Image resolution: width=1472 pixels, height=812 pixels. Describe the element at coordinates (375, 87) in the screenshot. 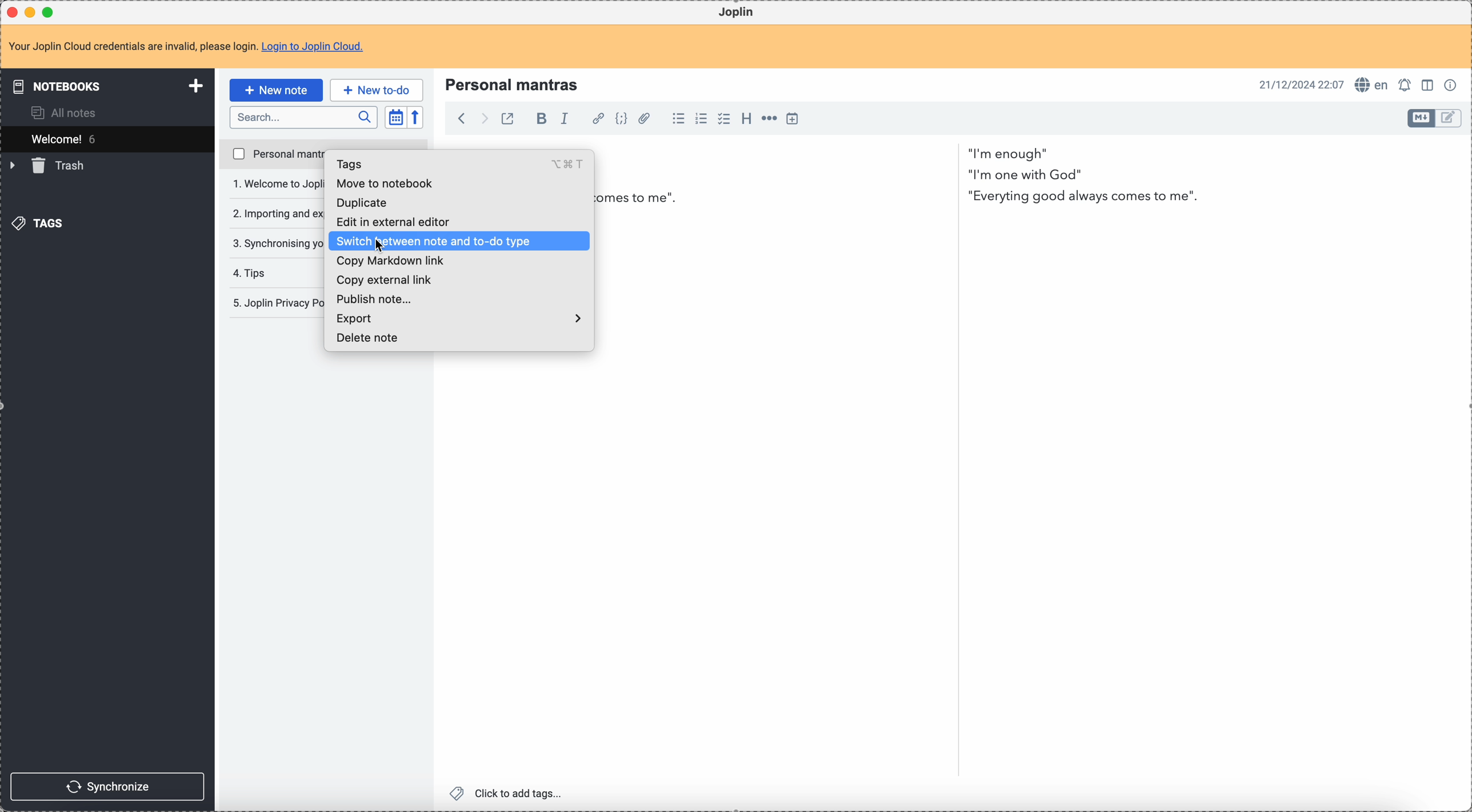

I see `new to-do` at that location.